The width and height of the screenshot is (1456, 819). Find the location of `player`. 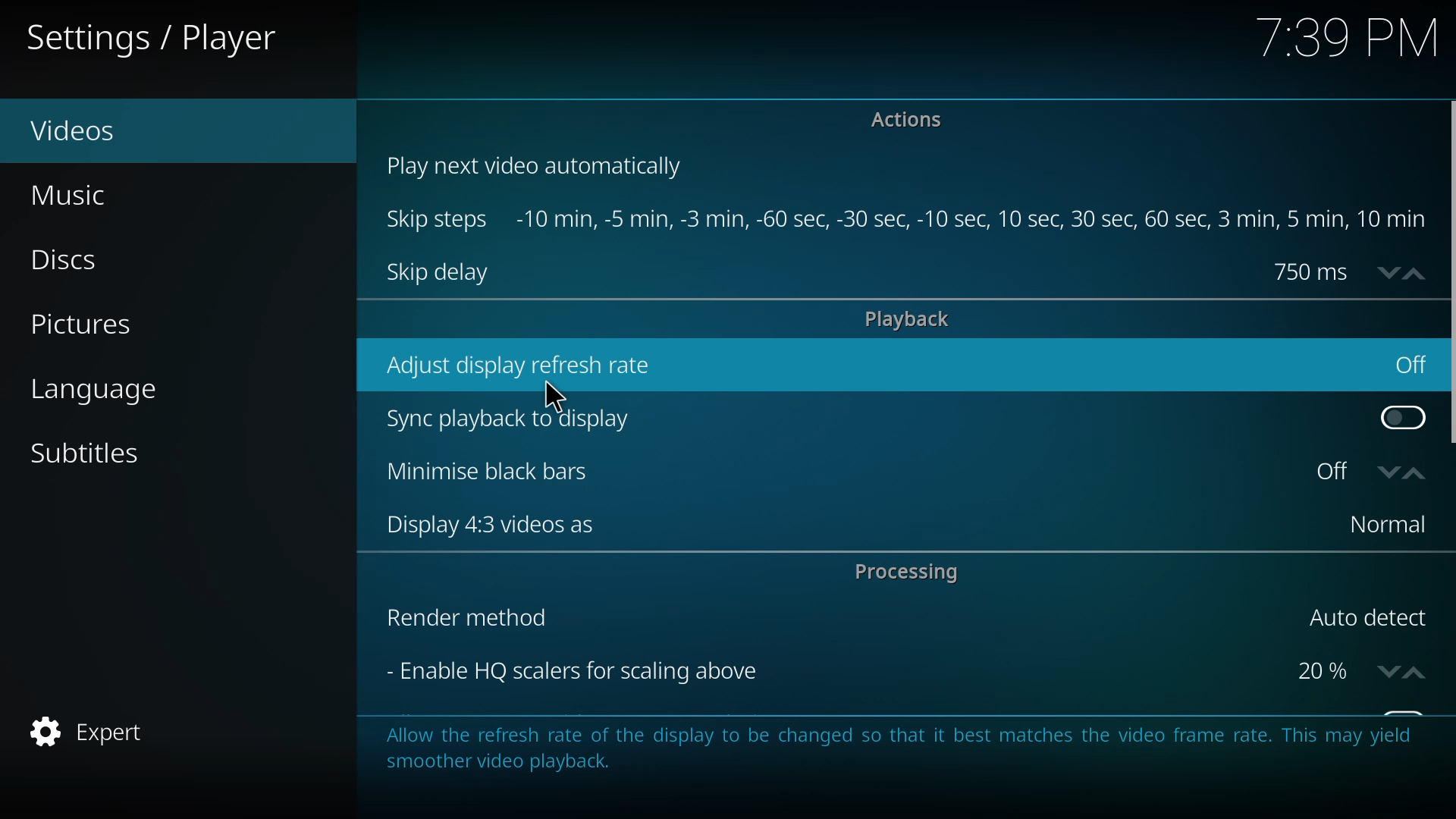

player is located at coordinates (158, 39).